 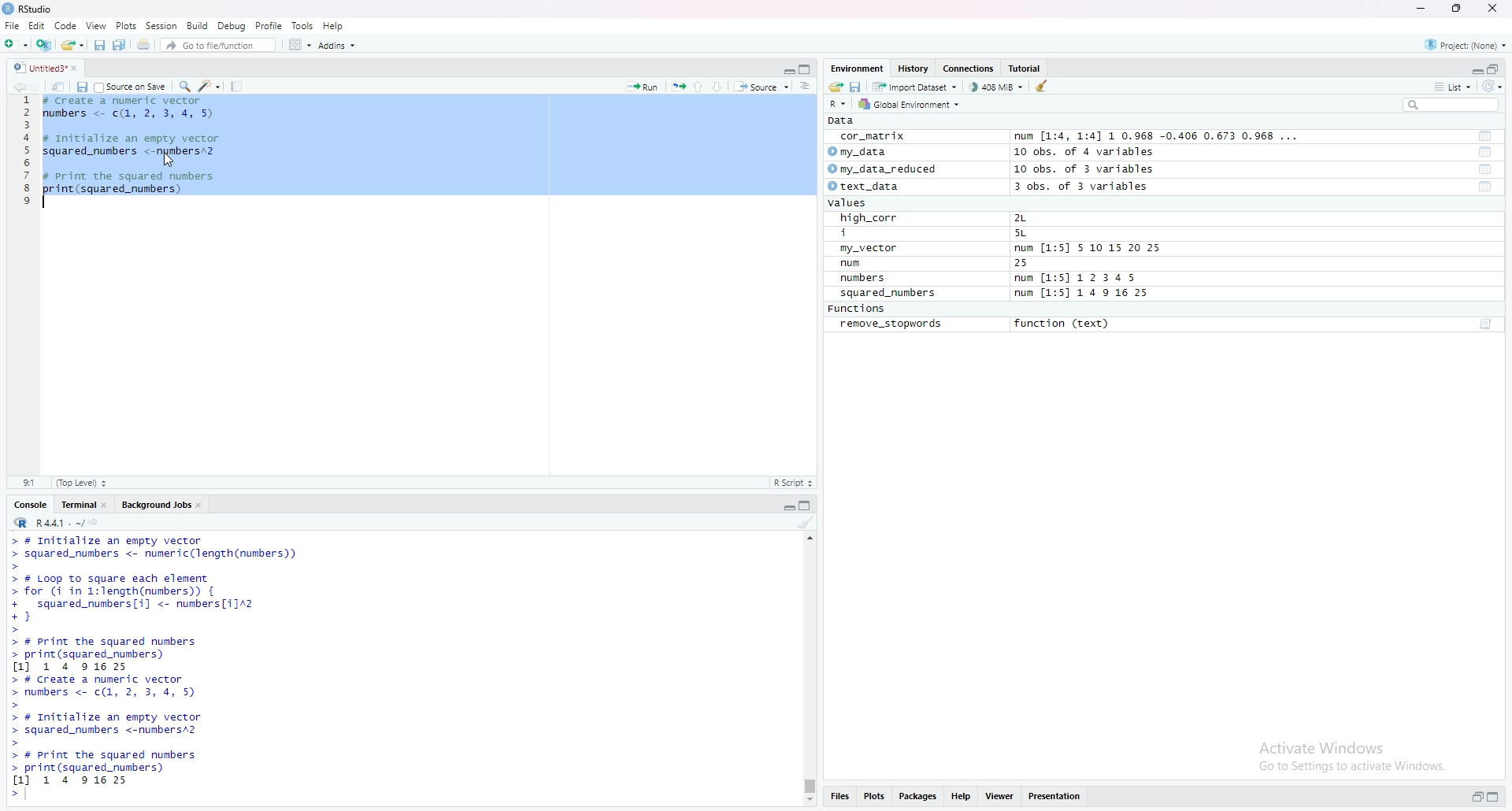 What do you see at coordinates (209, 85) in the screenshot?
I see `code tools` at bounding box center [209, 85].